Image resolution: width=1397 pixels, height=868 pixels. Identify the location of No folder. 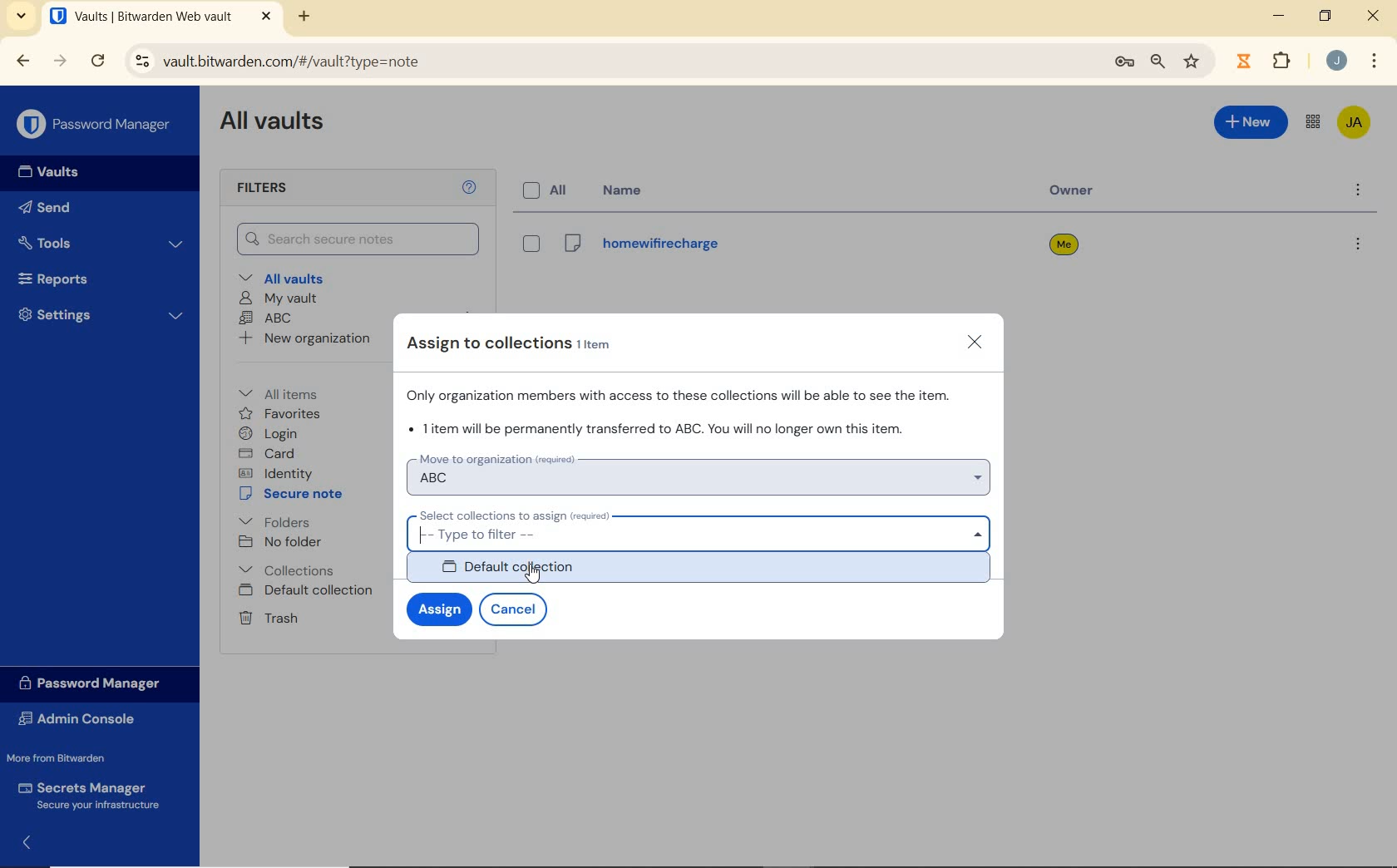
(280, 542).